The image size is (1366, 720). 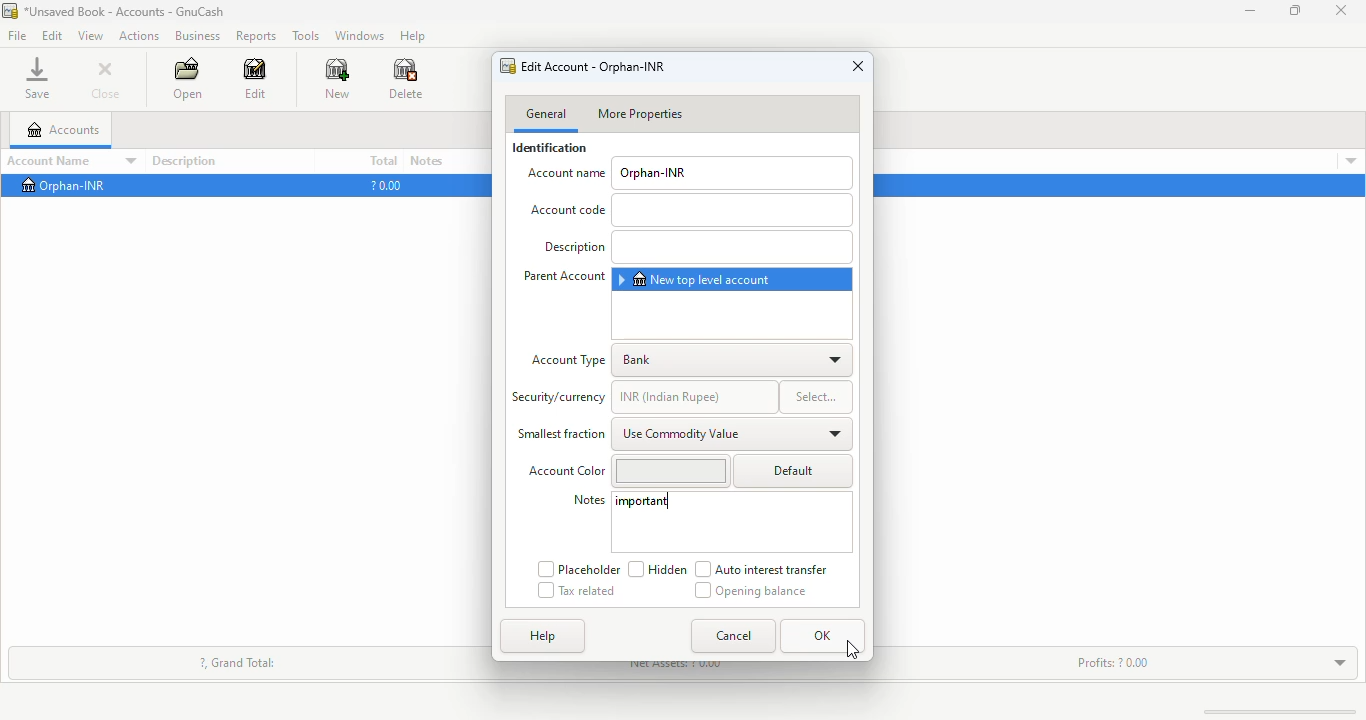 I want to click on minimize, so click(x=1250, y=10).